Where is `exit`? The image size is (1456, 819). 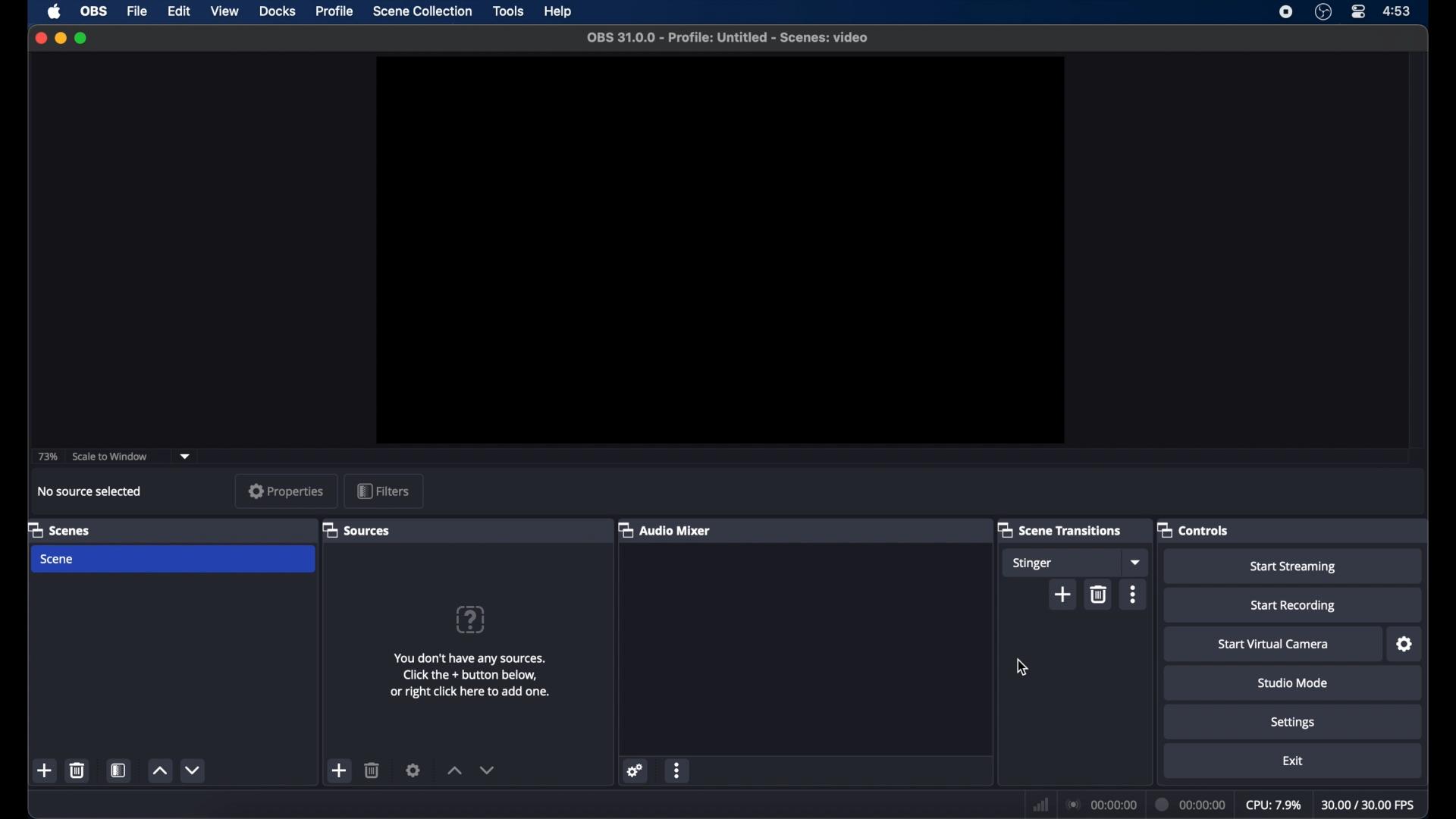 exit is located at coordinates (1293, 761).